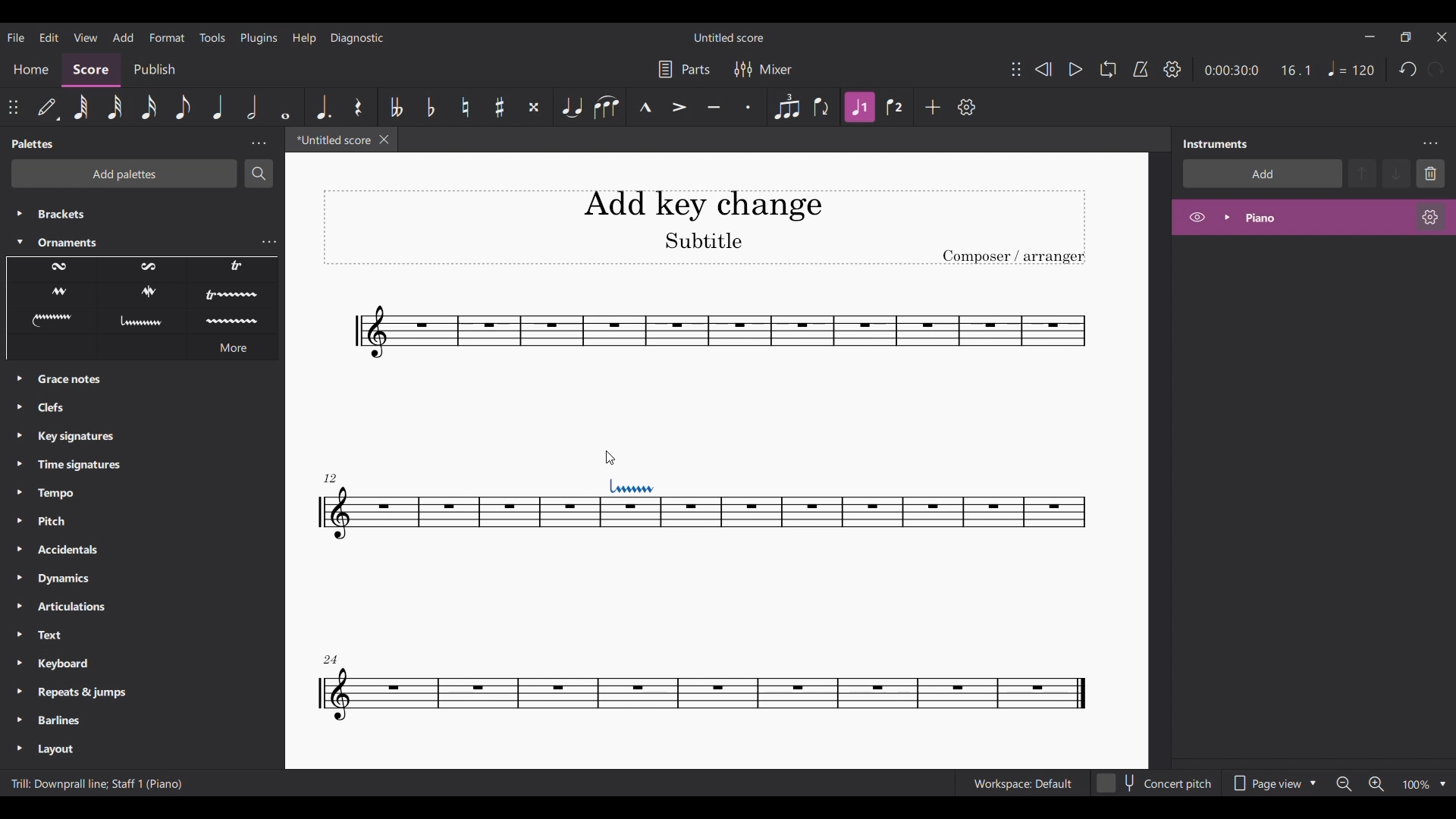 The image size is (1456, 819). What do you see at coordinates (645, 107) in the screenshot?
I see `Marcato` at bounding box center [645, 107].